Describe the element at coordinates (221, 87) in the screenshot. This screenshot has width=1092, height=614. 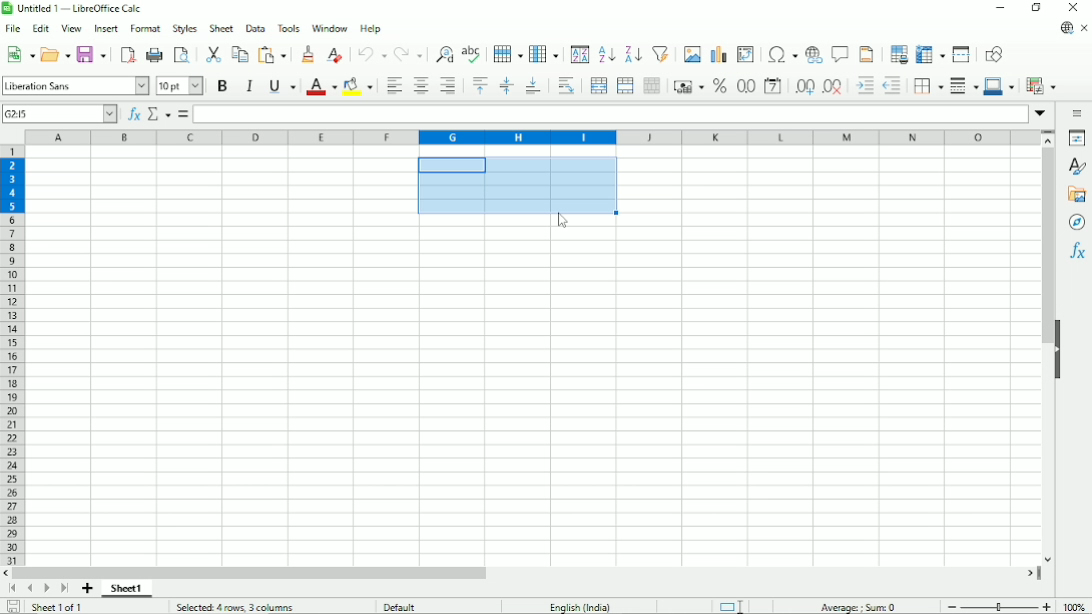
I see `Bold` at that location.